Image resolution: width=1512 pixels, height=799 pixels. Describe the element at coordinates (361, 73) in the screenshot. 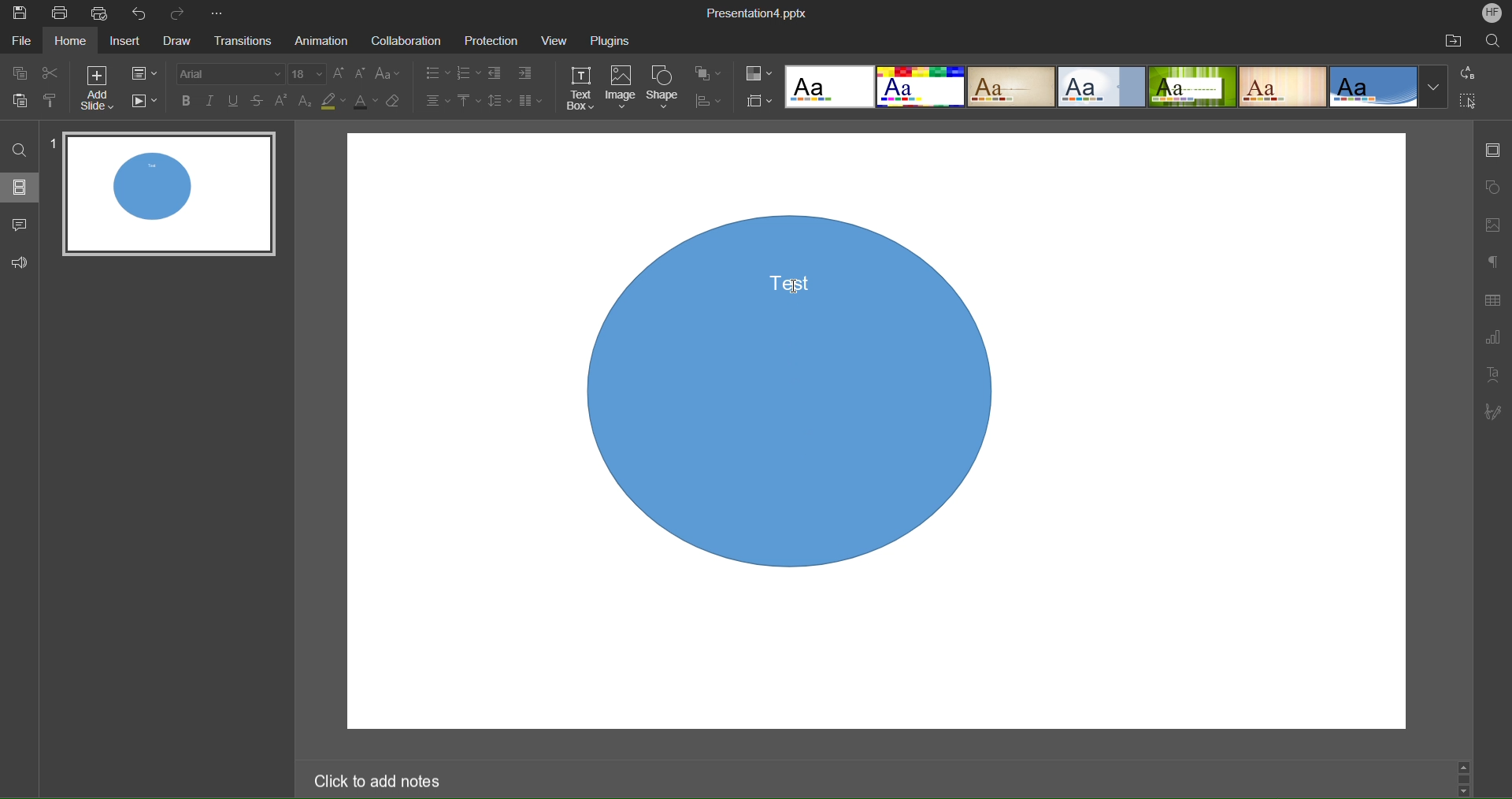

I see `Decrease size` at that location.